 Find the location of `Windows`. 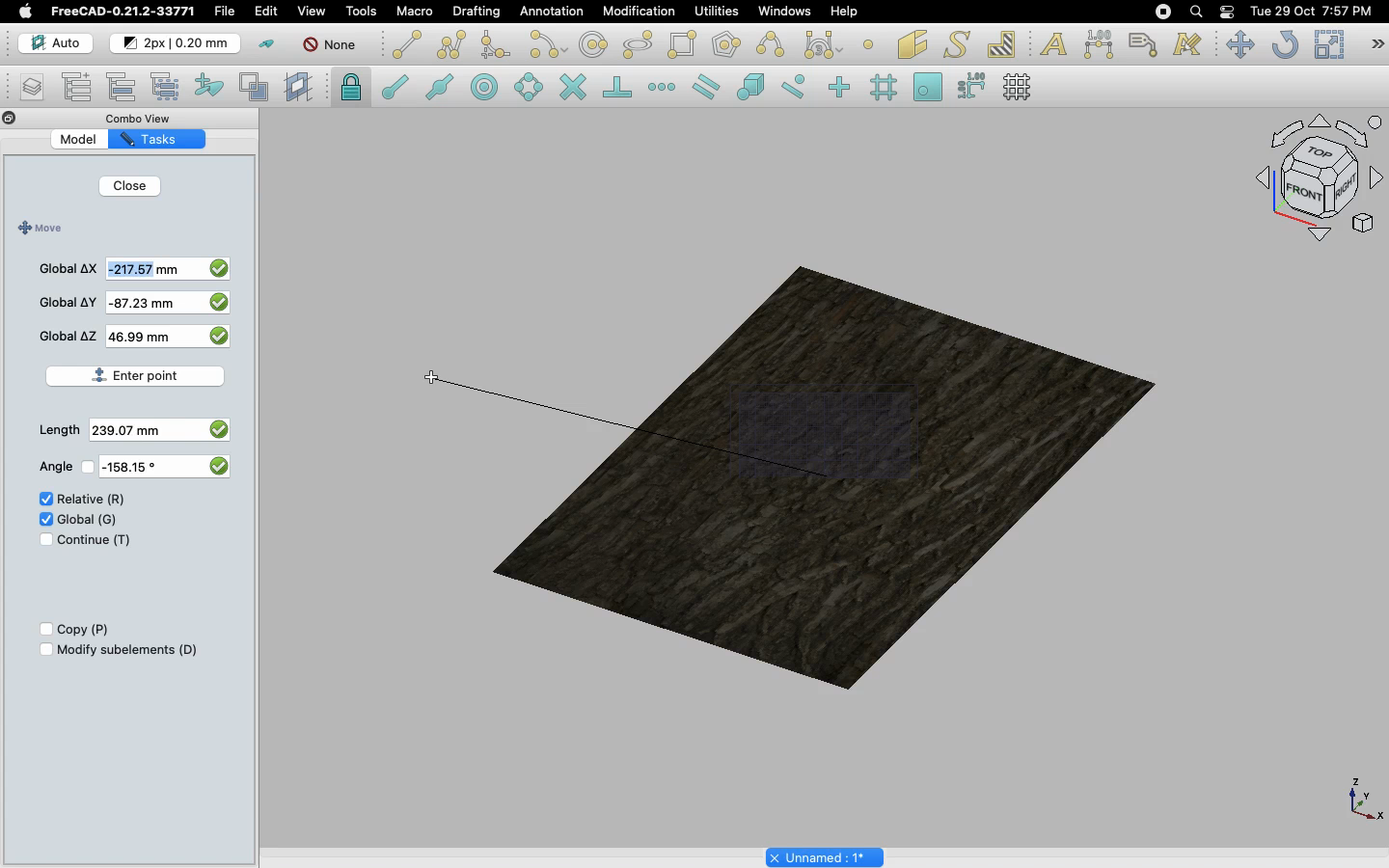

Windows is located at coordinates (789, 14).